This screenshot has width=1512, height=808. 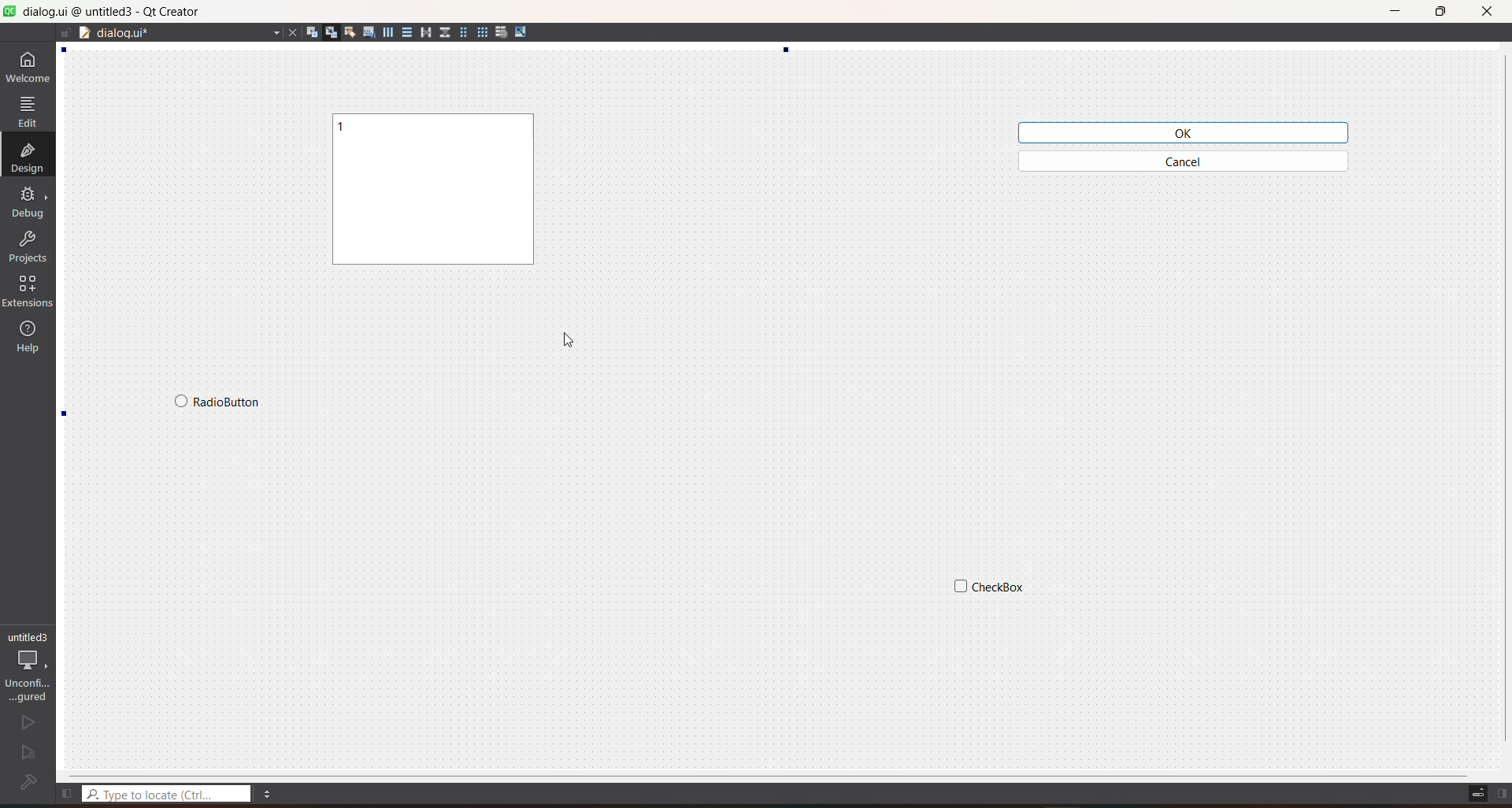 I want to click on widget, so click(x=224, y=396).